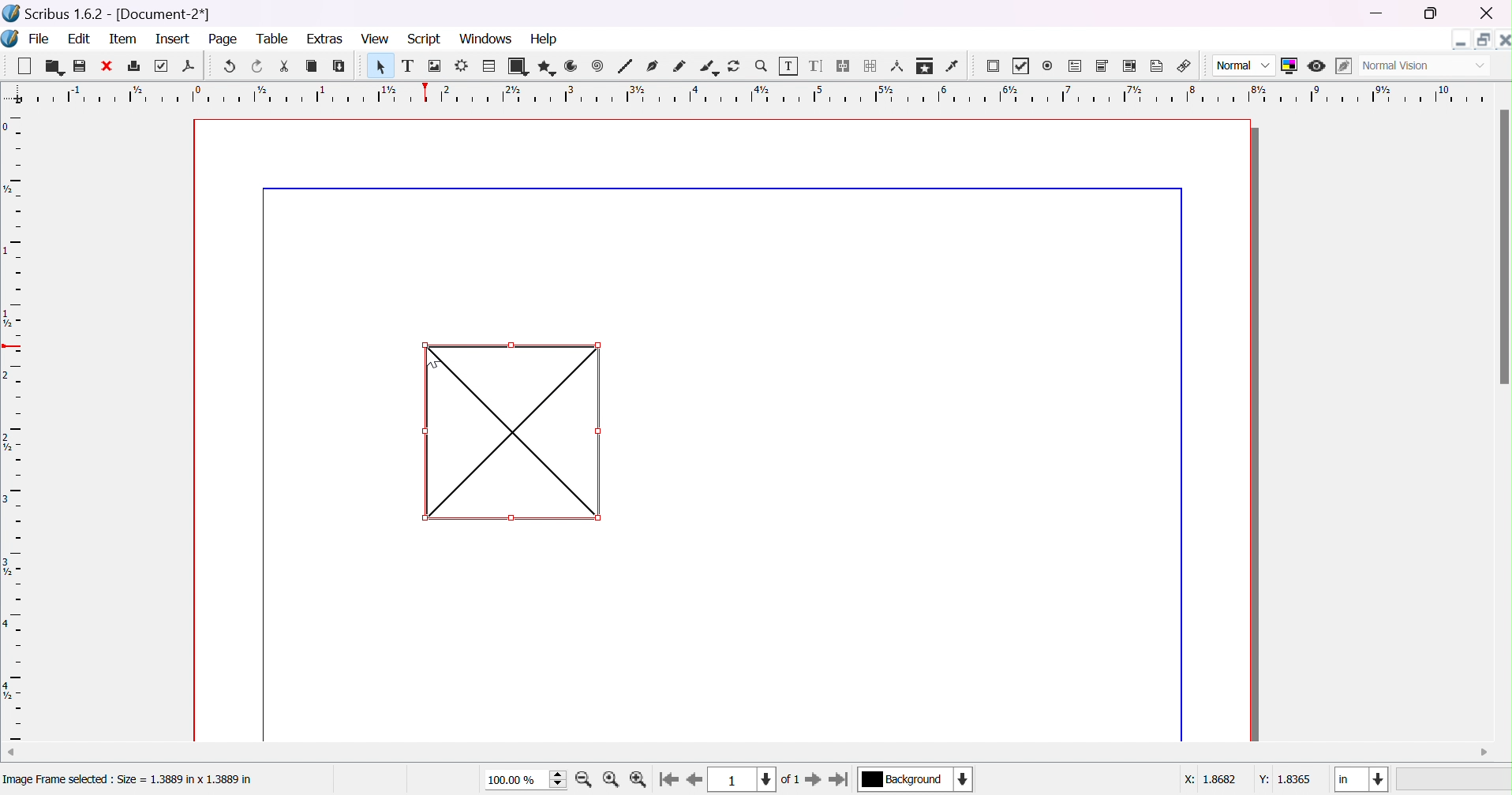  Describe the element at coordinates (640, 780) in the screenshot. I see `zoom out` at that location.